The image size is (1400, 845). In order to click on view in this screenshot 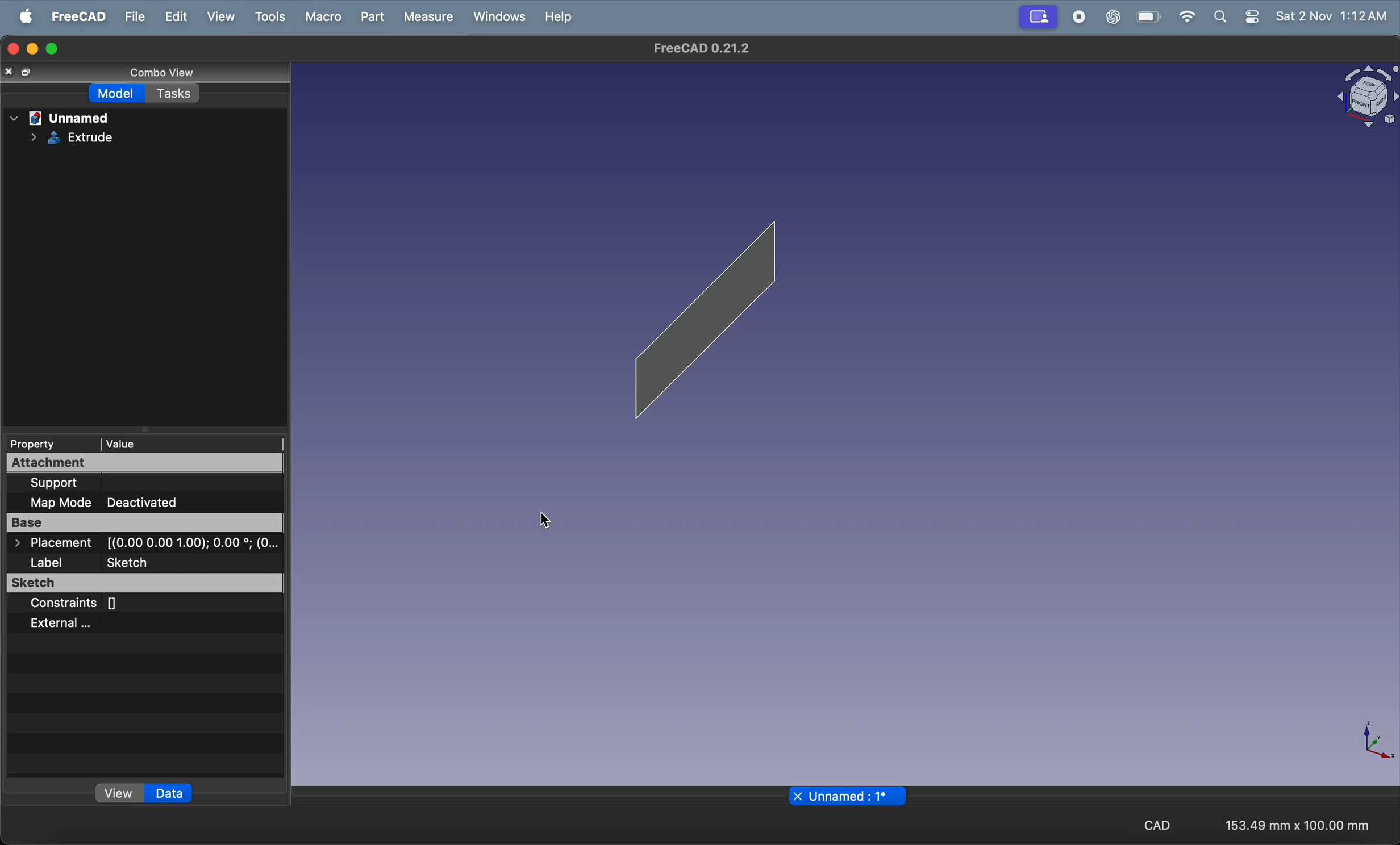, I will do `click(218, 18)`.